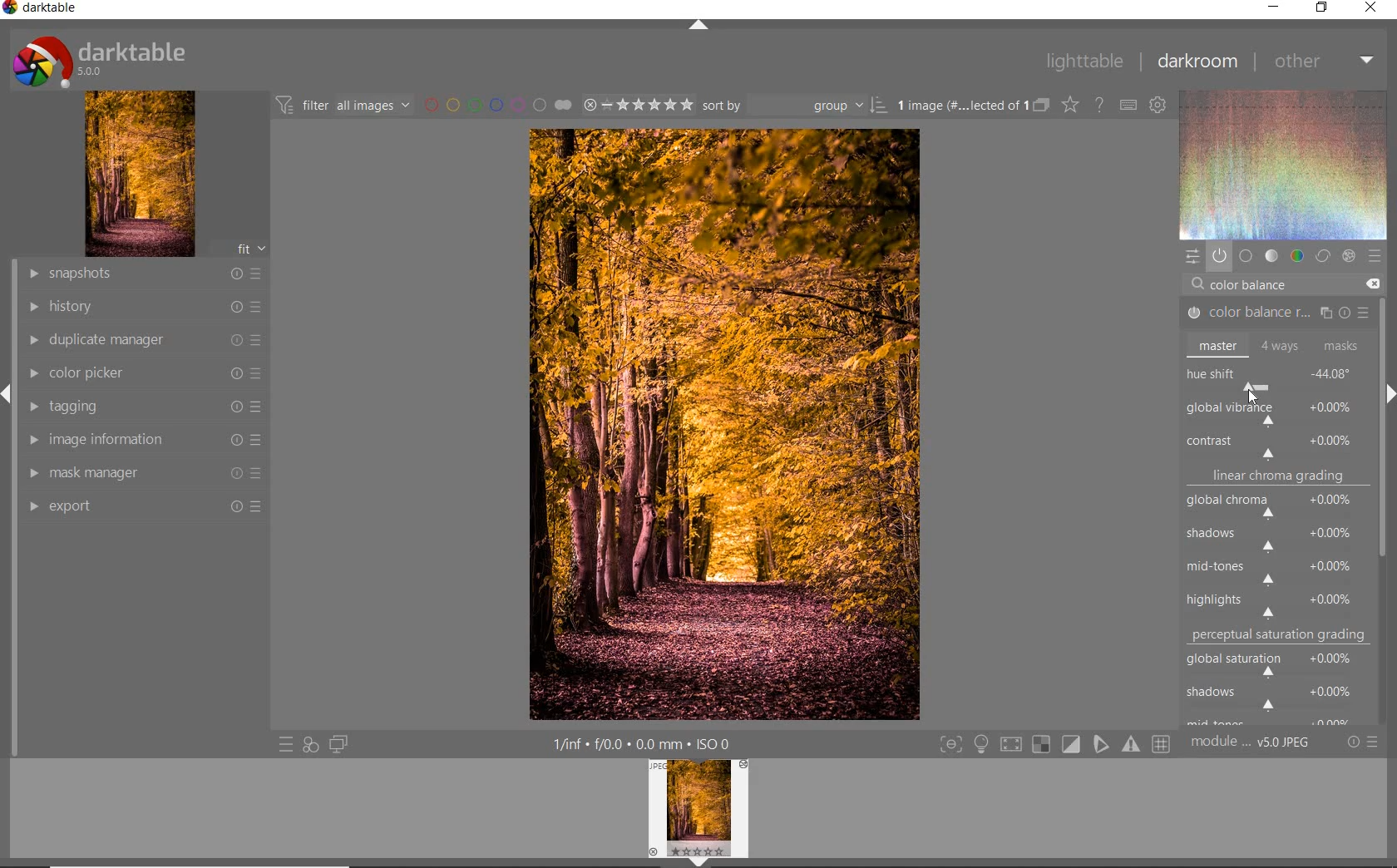  Describe the element at coordinates (1325, 62) in the screenshot. I see `other` at that location.